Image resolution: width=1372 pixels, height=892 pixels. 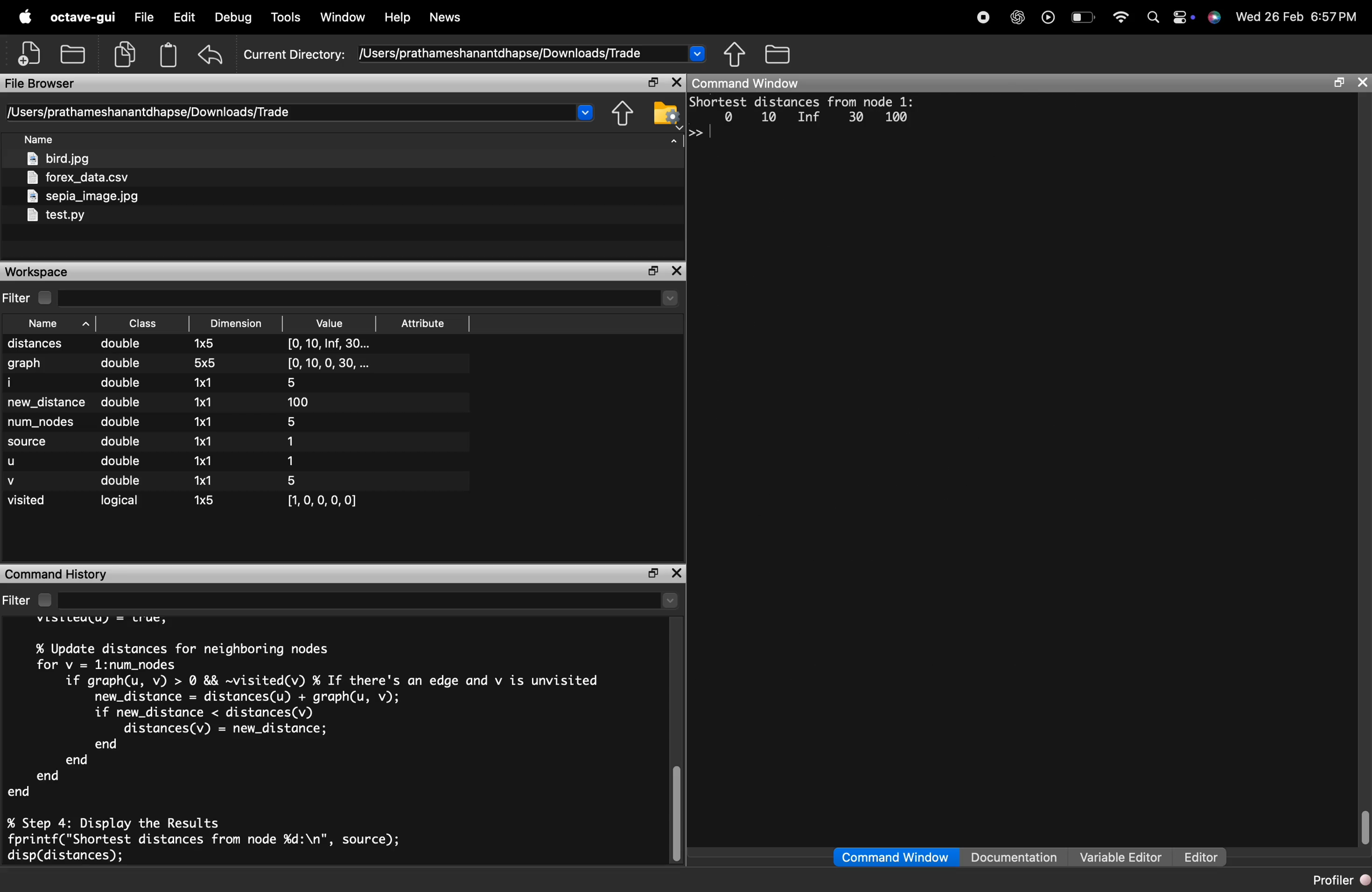 What do you see at coordinates (136, 422) in the screenshot?
I see `Class` at bounding box center [136, 422].